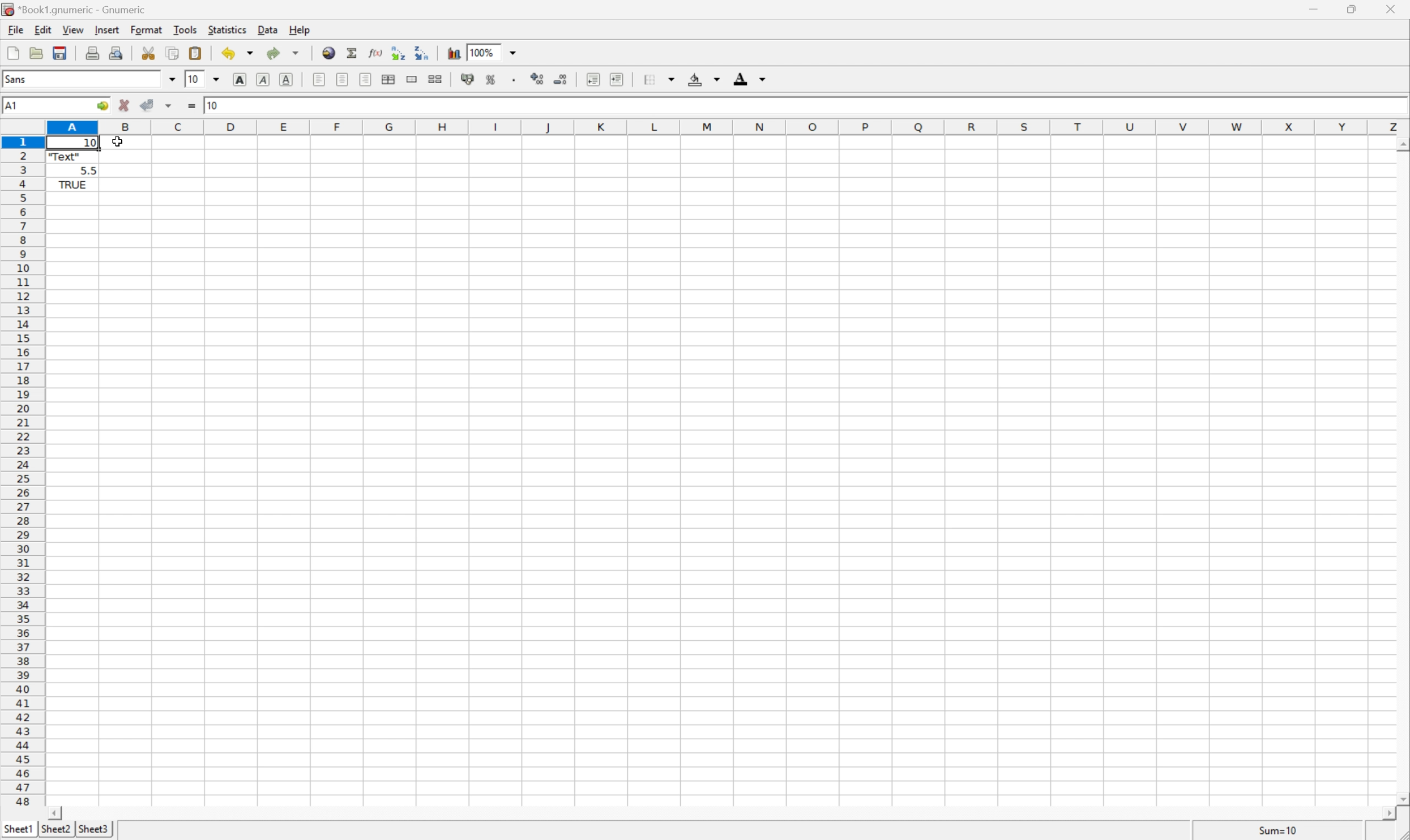 This screenshot has height=840, width=1410. I want to click on 10, so click(194, 79).